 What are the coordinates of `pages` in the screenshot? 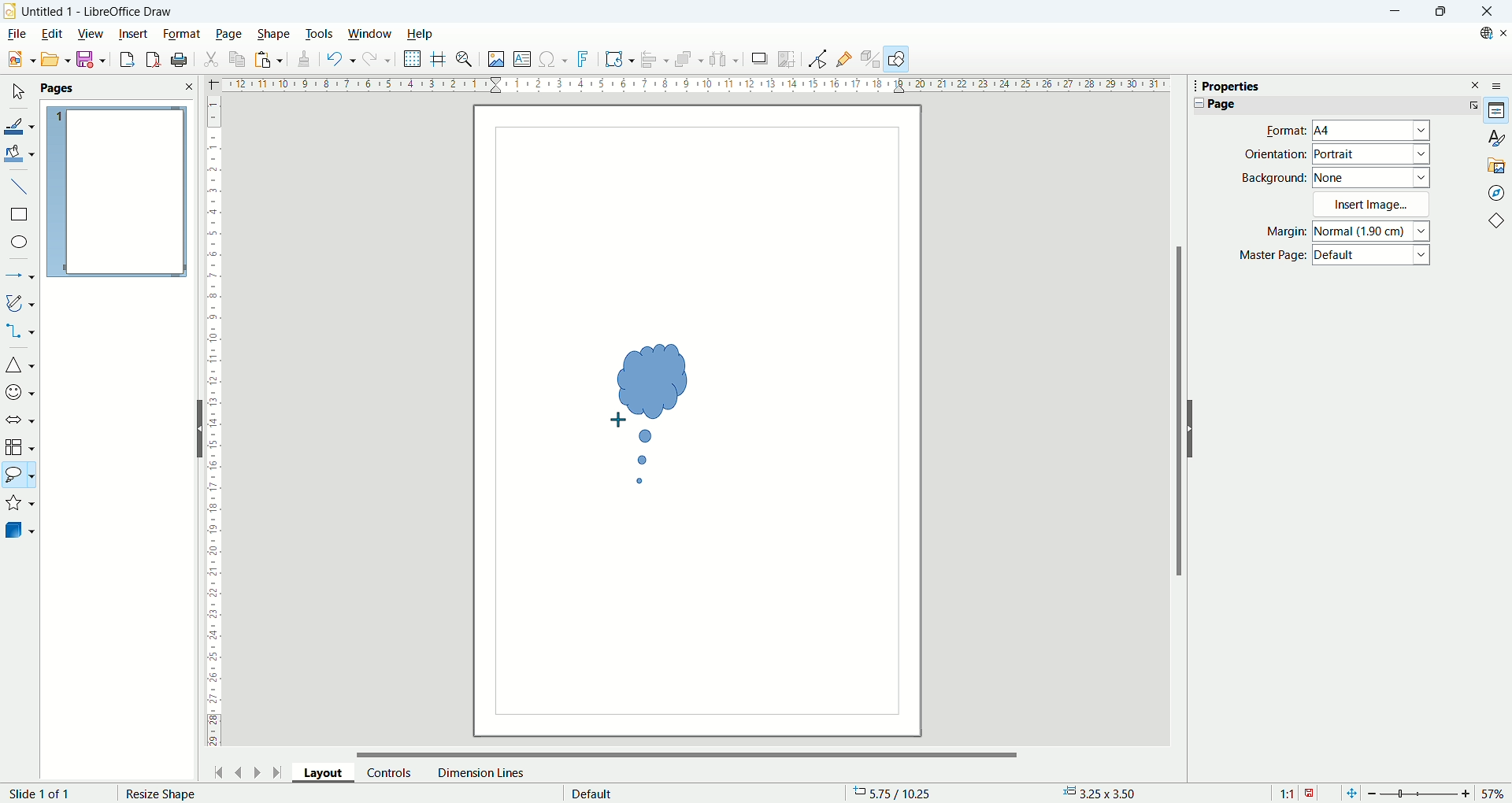 It's located at (117, 89).